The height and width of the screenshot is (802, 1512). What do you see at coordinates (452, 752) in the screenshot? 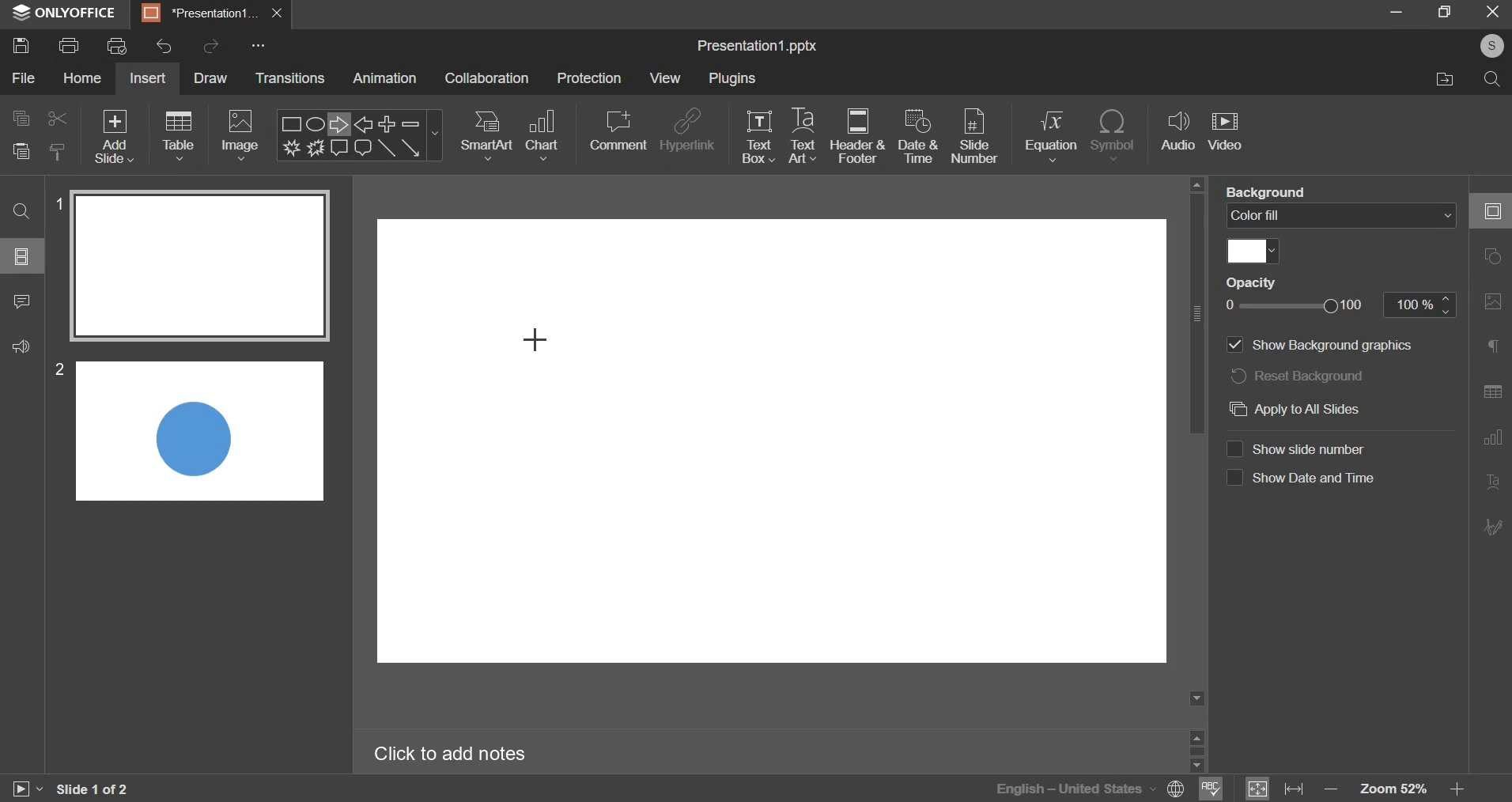
I see `Click to add notes` at bounding box center [452, 752].